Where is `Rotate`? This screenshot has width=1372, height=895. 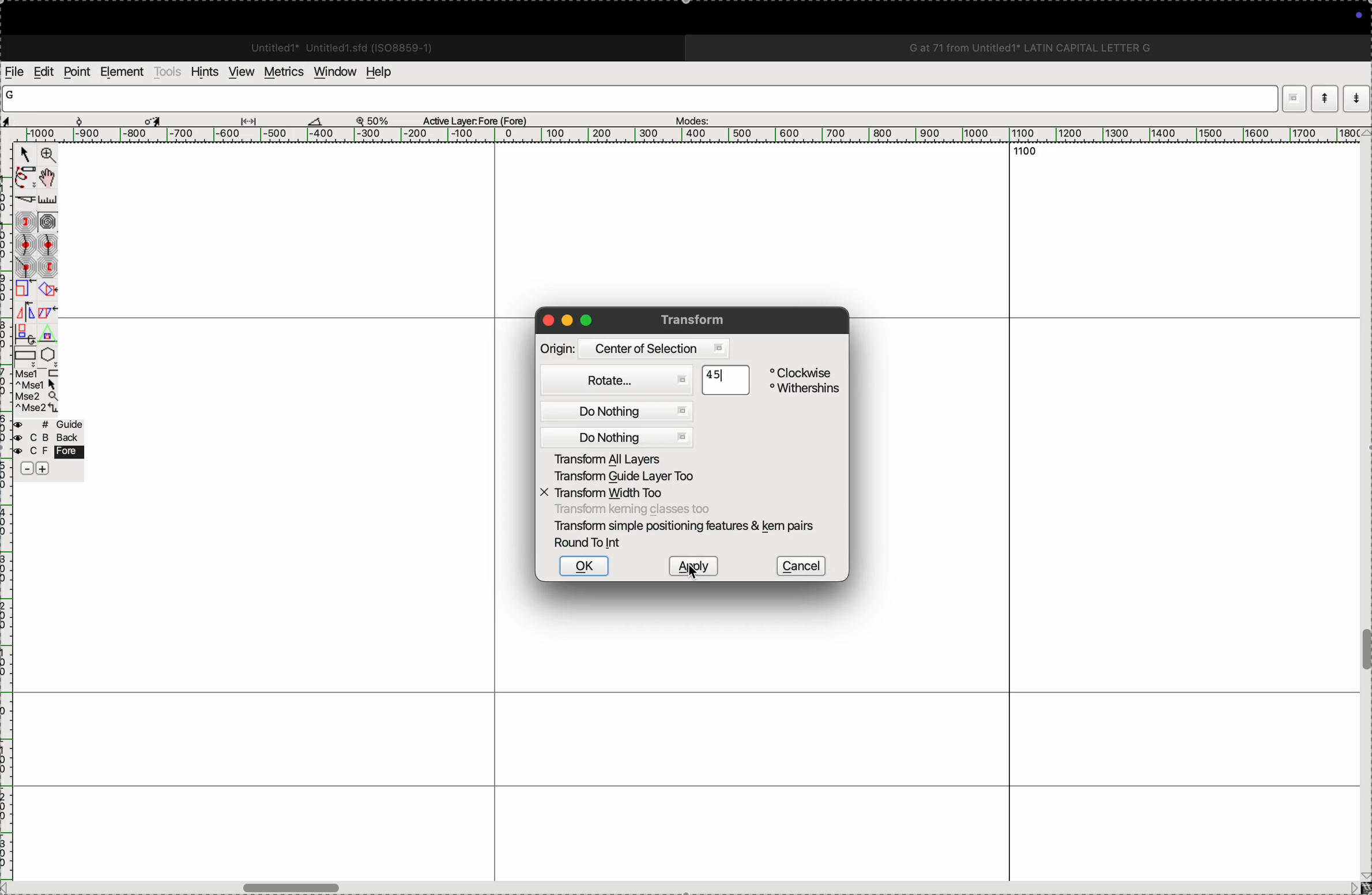
Rotate is located at coordinates (616, 381).